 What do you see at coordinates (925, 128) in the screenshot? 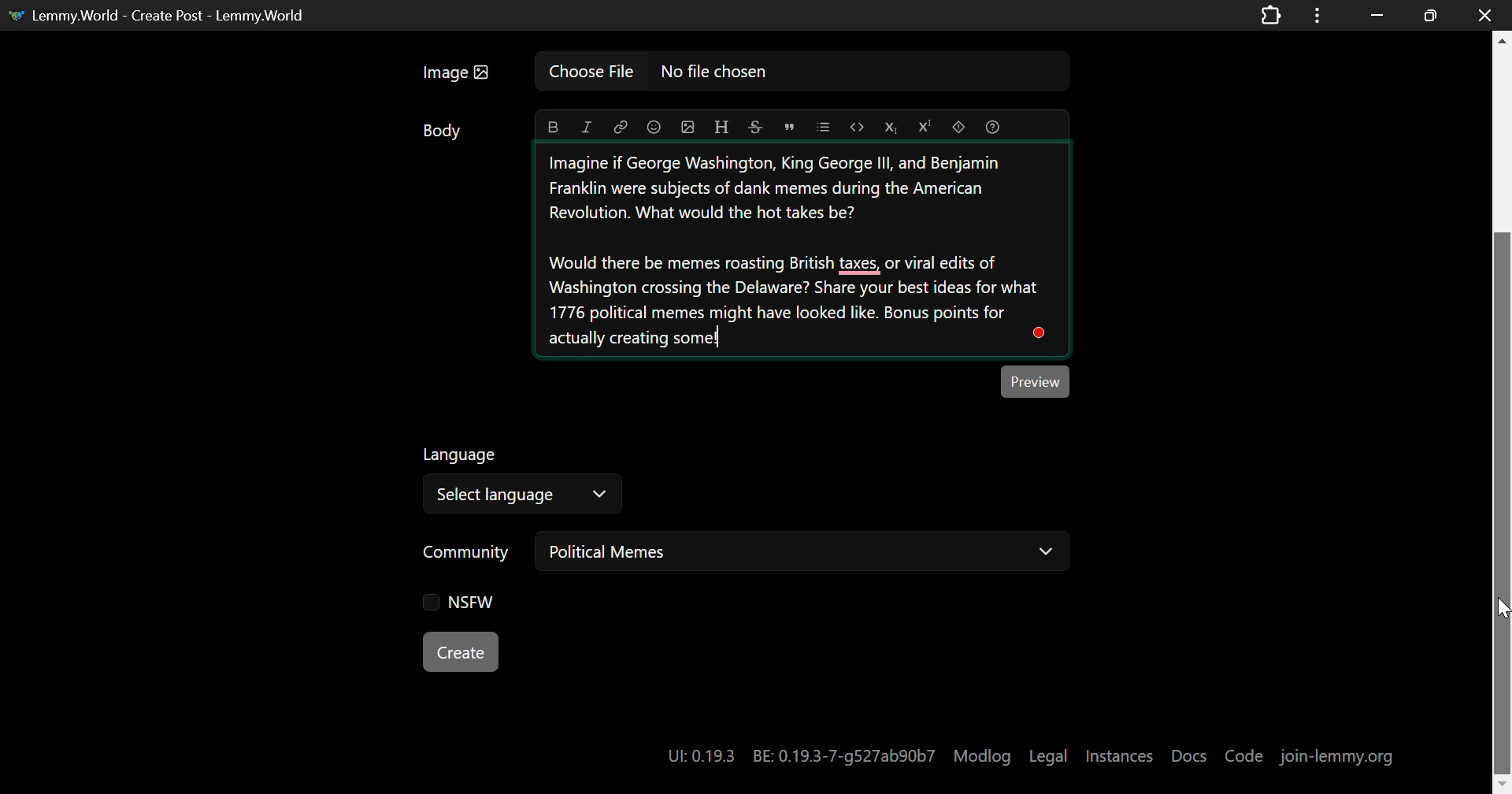
I see `Superscript` at bounding box center [925, 128].